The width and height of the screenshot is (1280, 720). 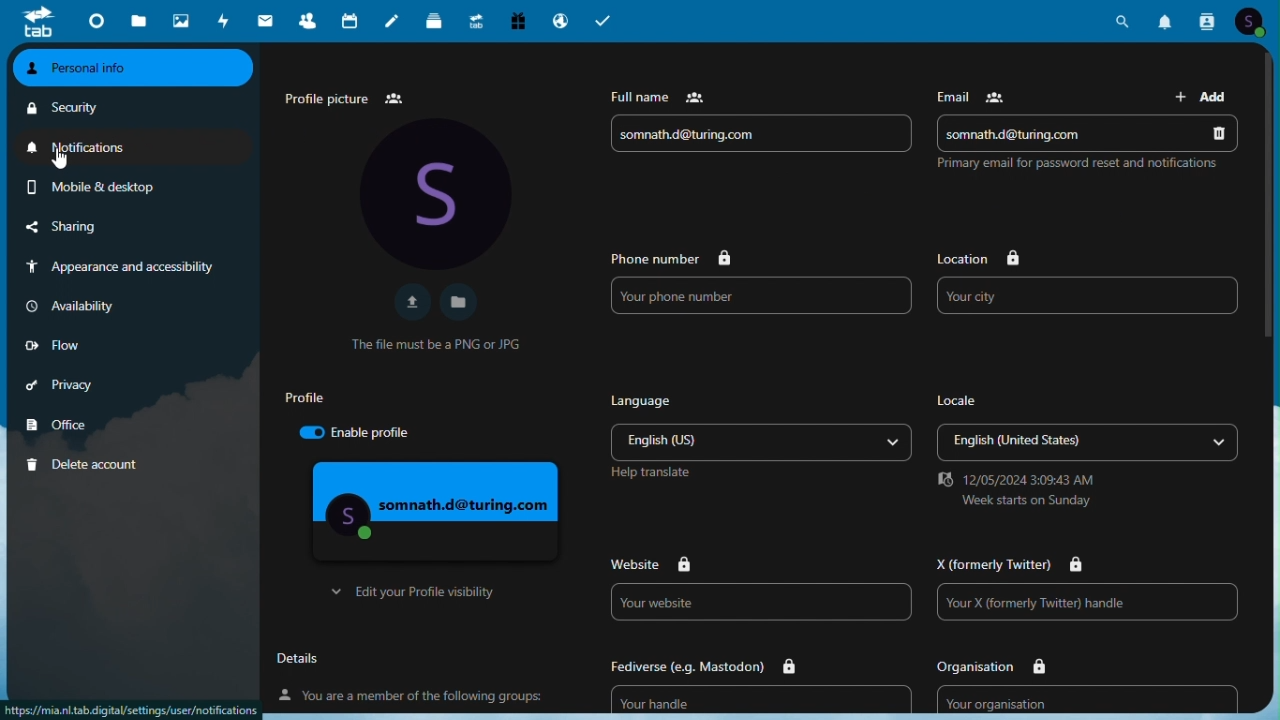 What do you see at coordinates (759, 403) in the screenshot?
I see `Language` at bounding box center [759, 403].